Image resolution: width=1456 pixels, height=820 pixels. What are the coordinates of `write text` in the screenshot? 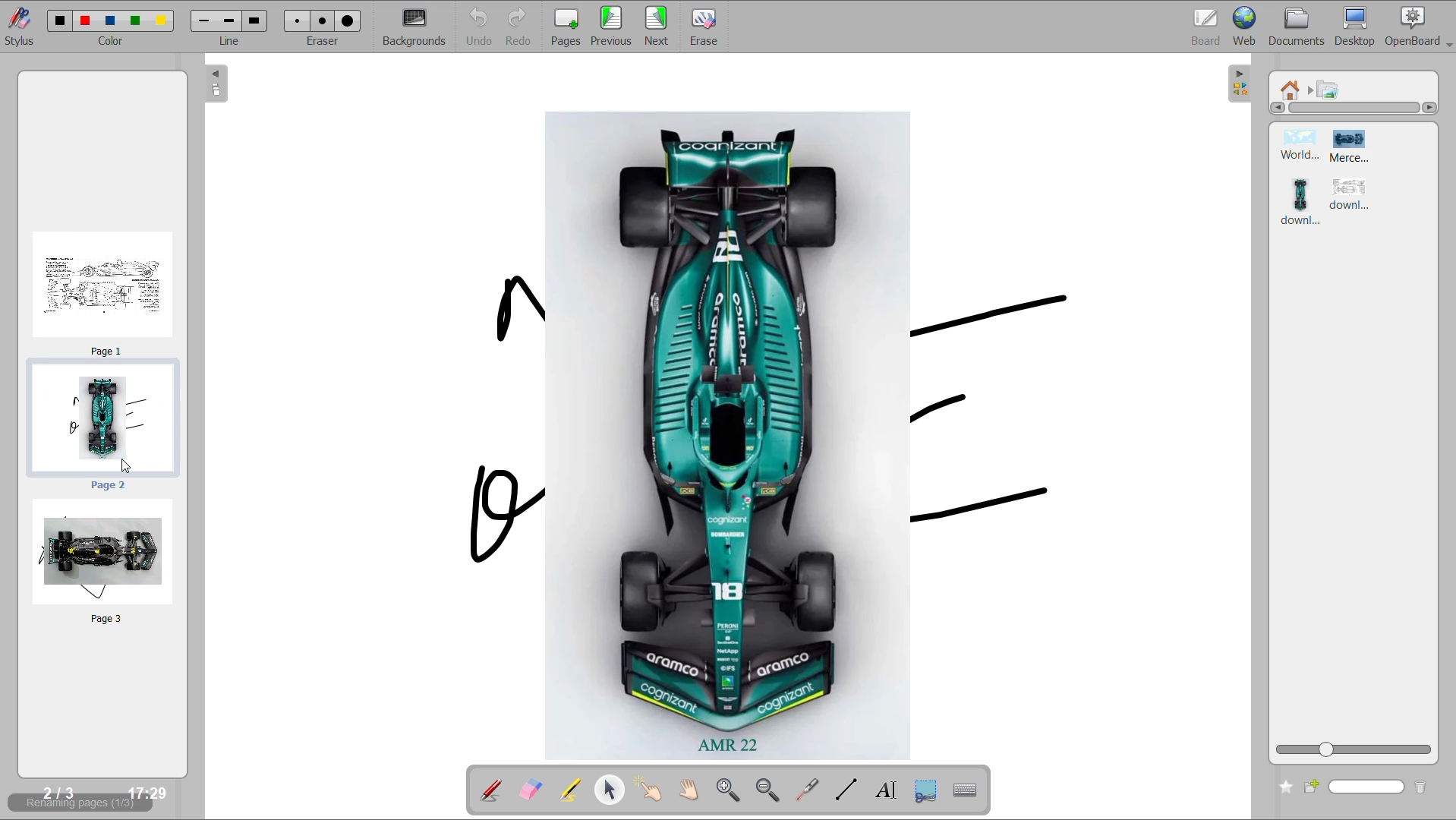 It's located at (887, 791).